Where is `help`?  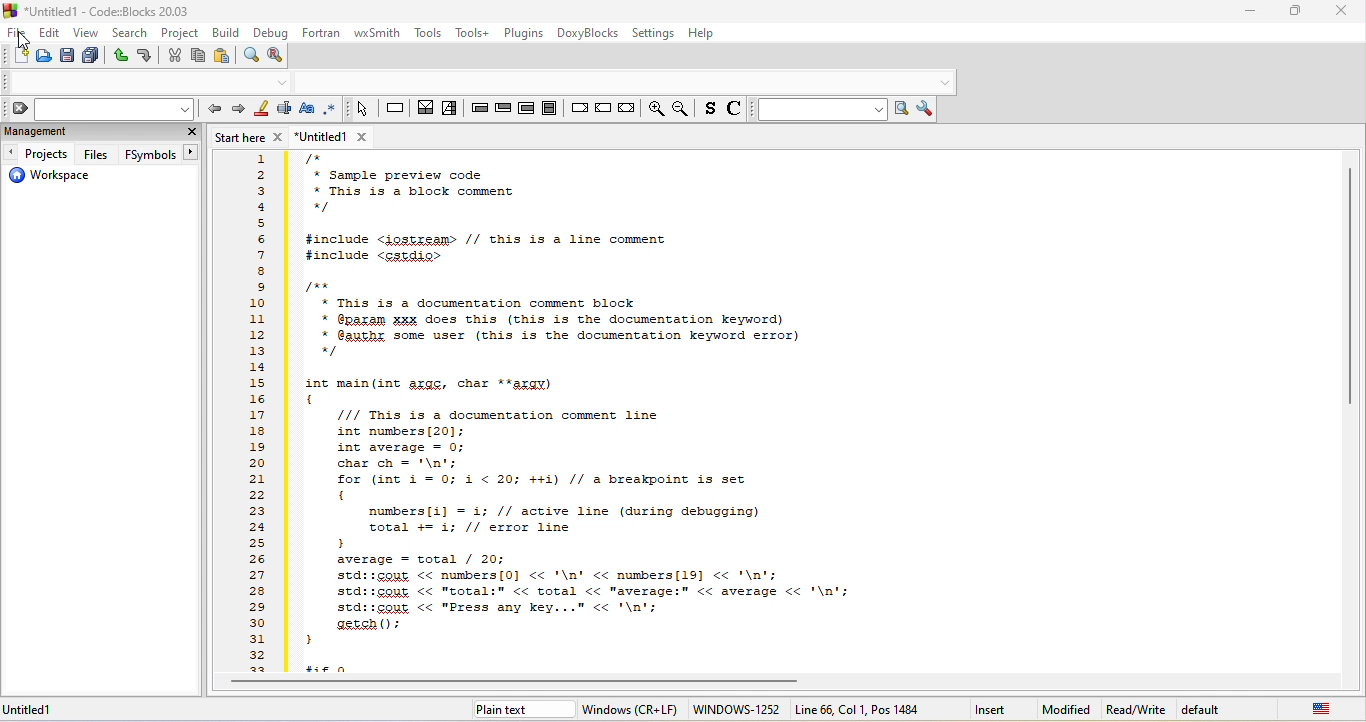
help is located at coordinates (702, 33).